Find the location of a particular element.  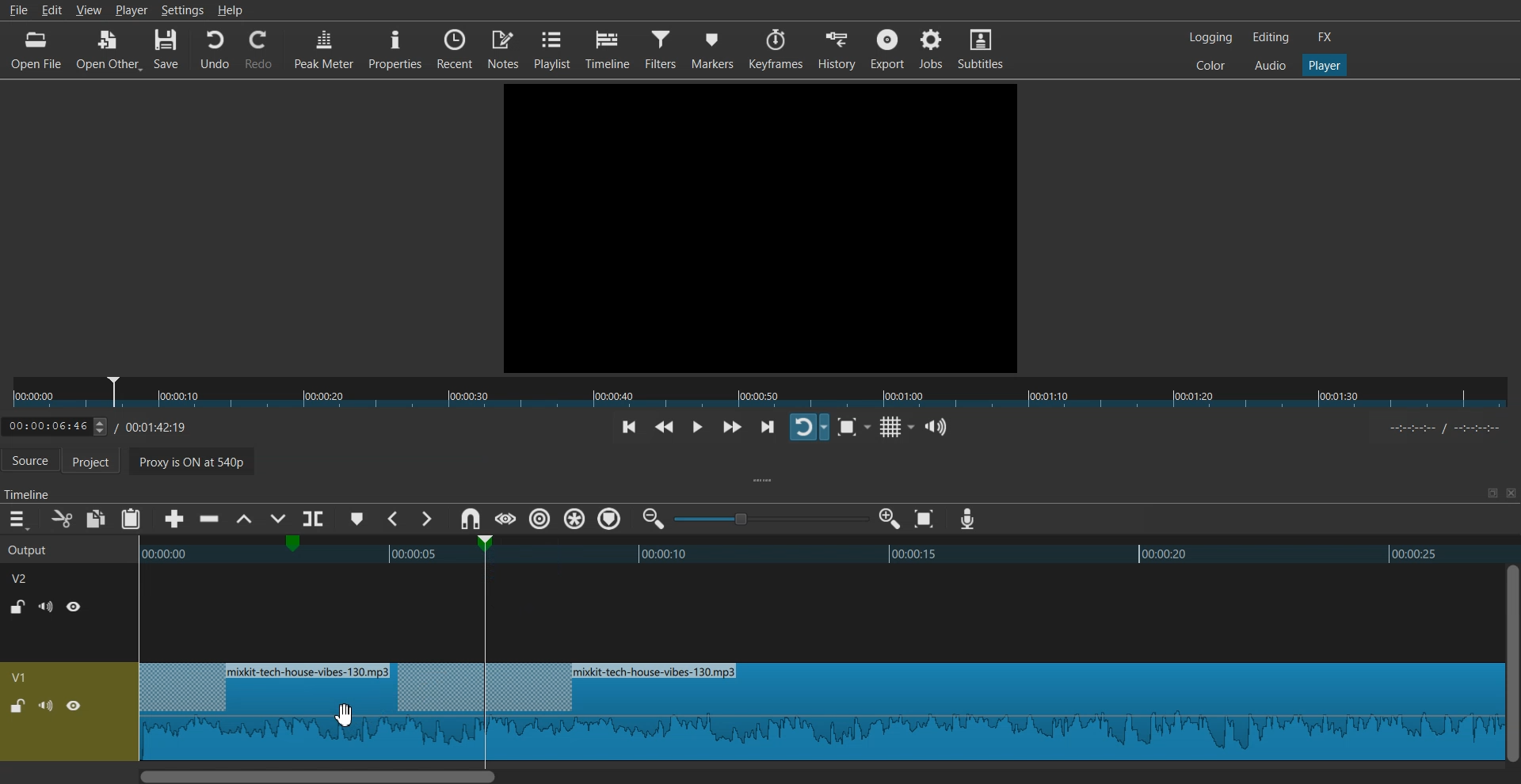

Close is located at coordinates (1509, 493).